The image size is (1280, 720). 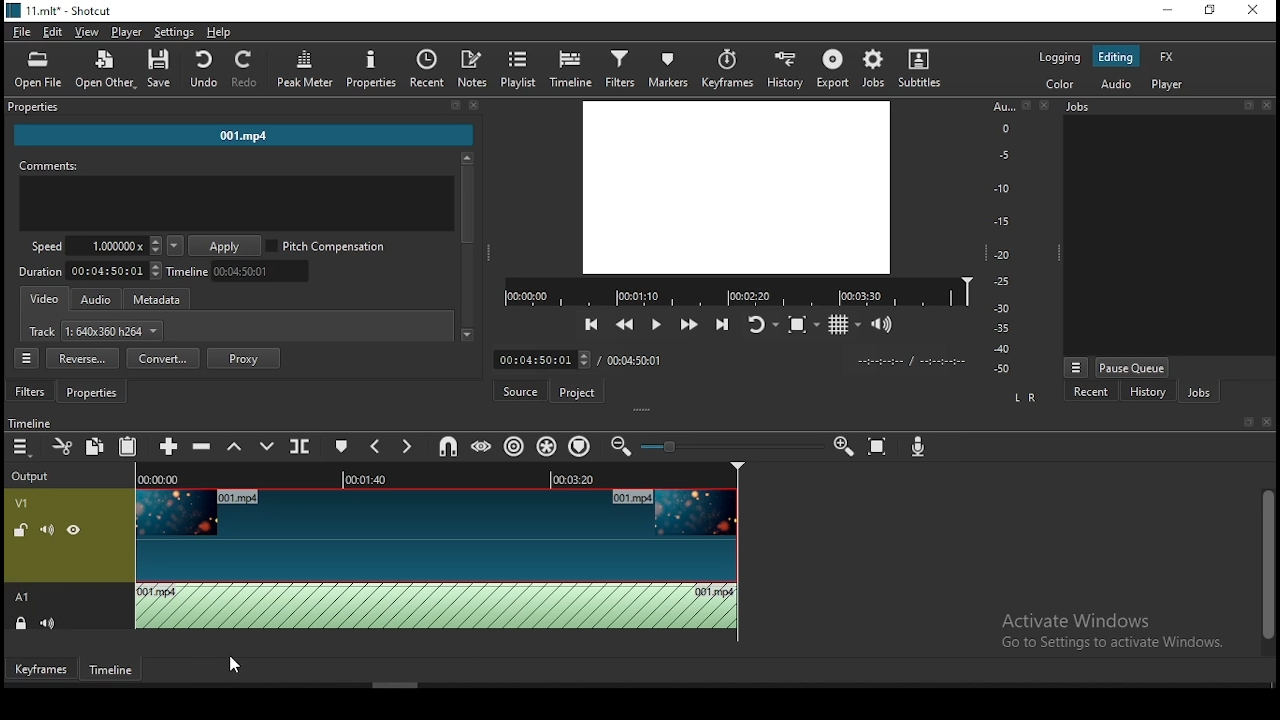 What do you see at coordinates (621, 446) in the screenshot?
I see `zoom timeline out` at bounding box center [621, 446].